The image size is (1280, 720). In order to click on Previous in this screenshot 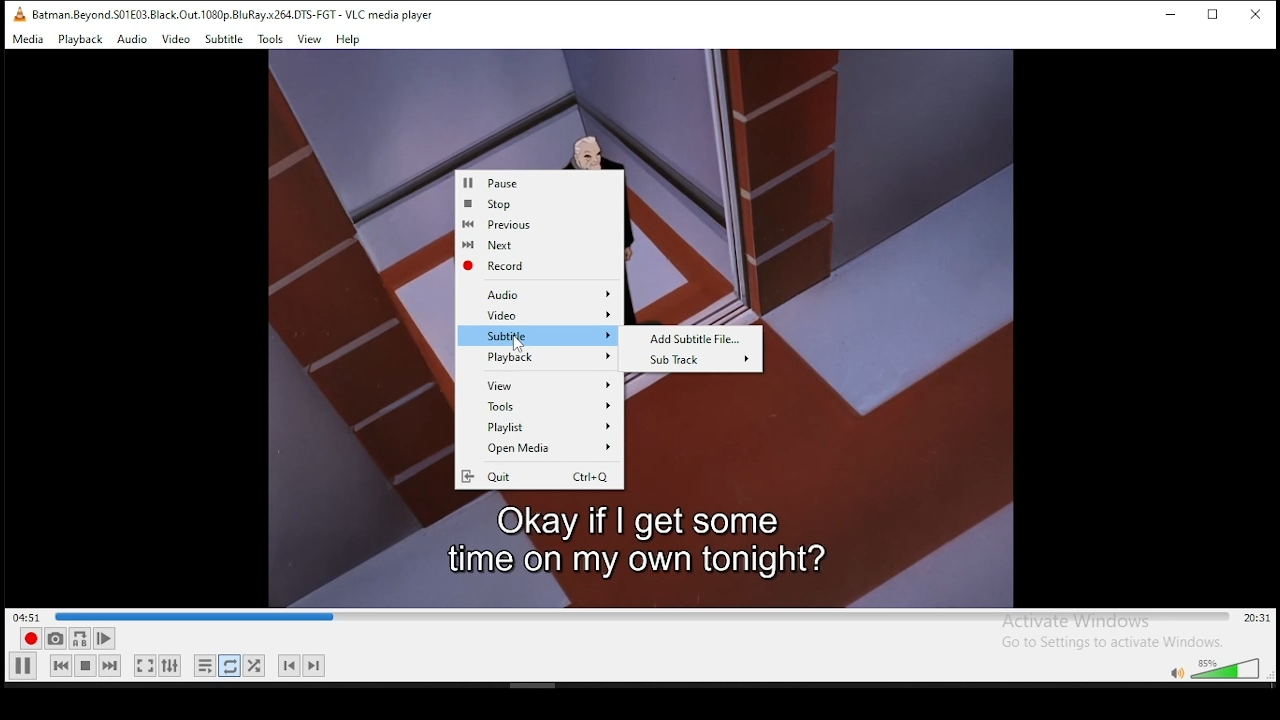, I will do `click(535, 224)`.